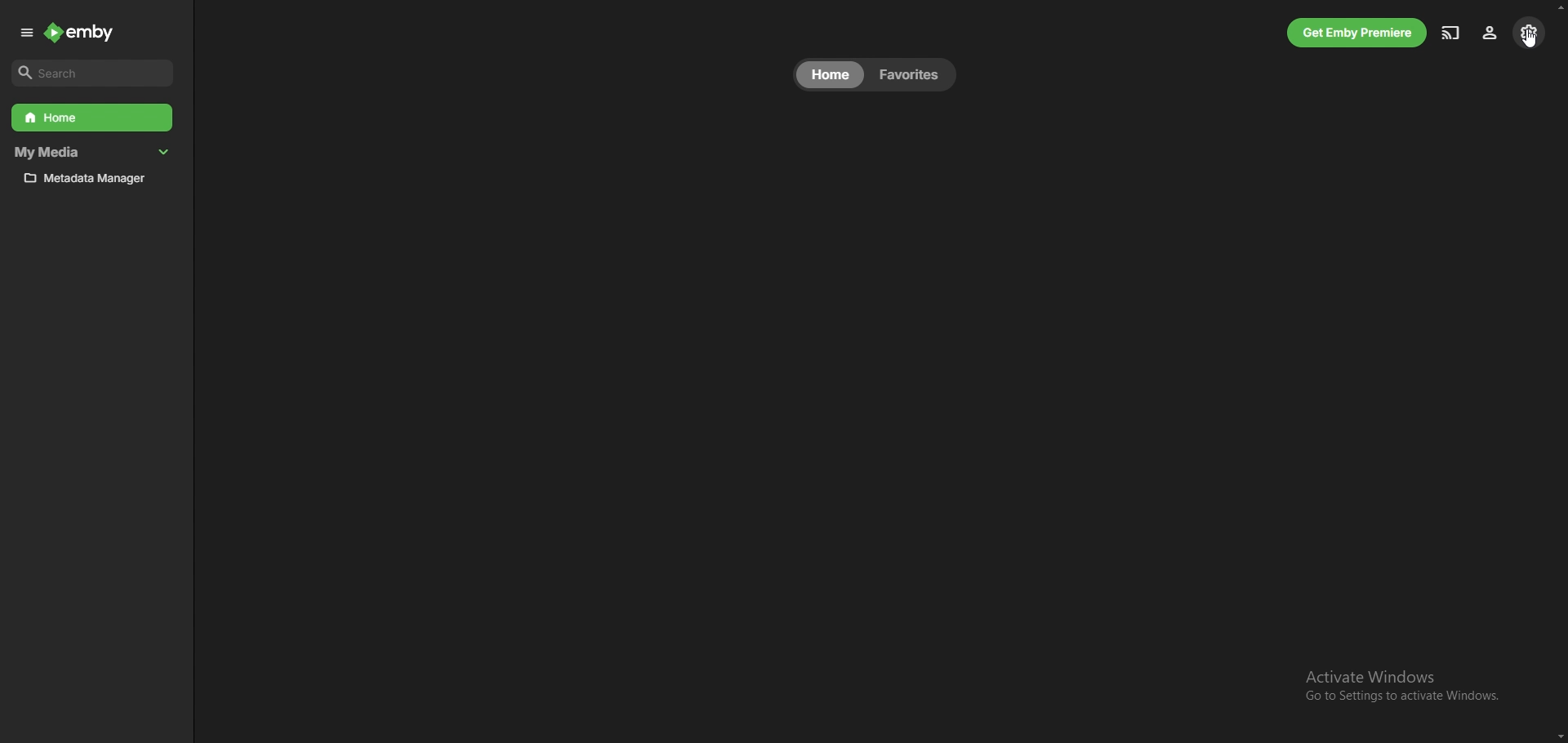 This screenshot has width=1568, height=743. What do you see at coordinates (94, 73) in the screenshot?
I see `search` at bounding box center [94, 73].